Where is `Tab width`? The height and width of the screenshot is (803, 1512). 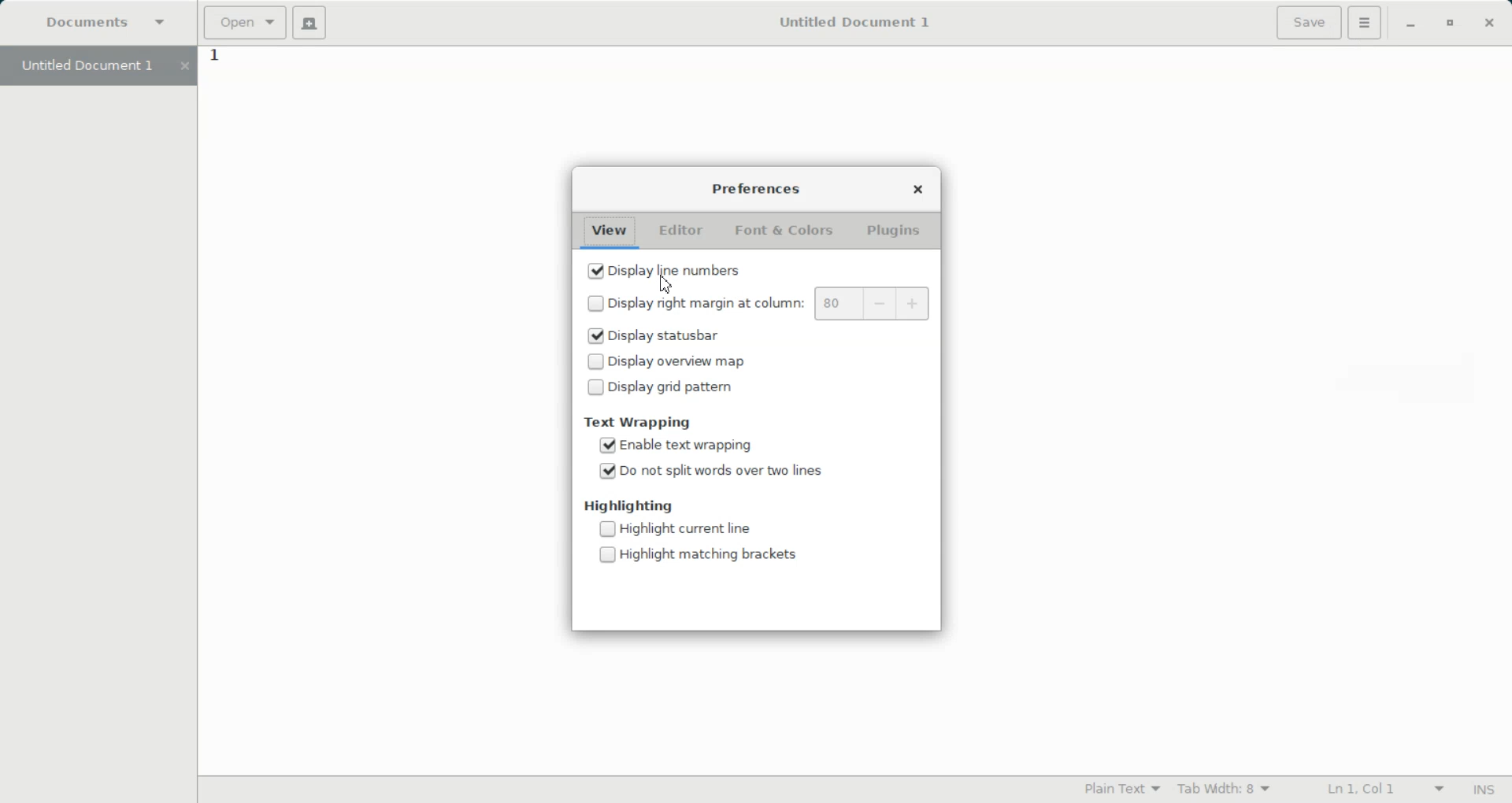
Tab width is located at coordinates (1225, 788).